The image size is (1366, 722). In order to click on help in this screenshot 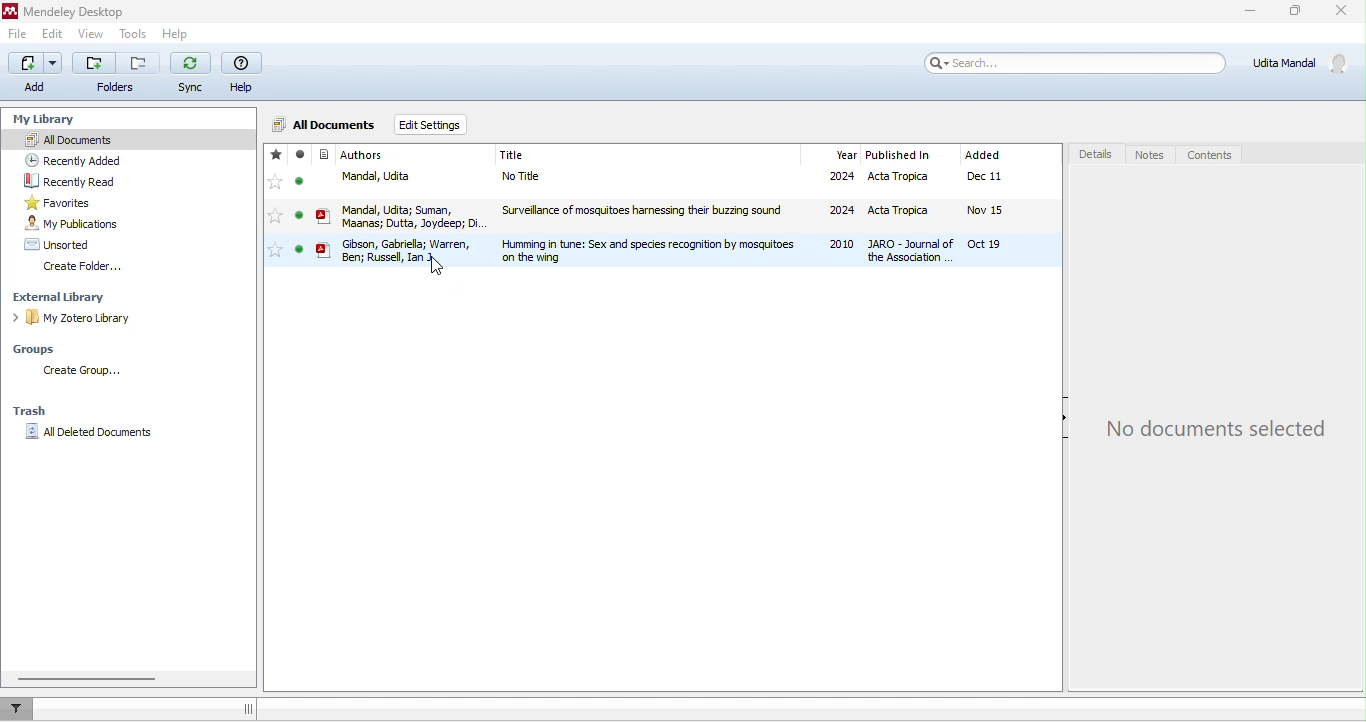, I will do `click(181, 34)`.